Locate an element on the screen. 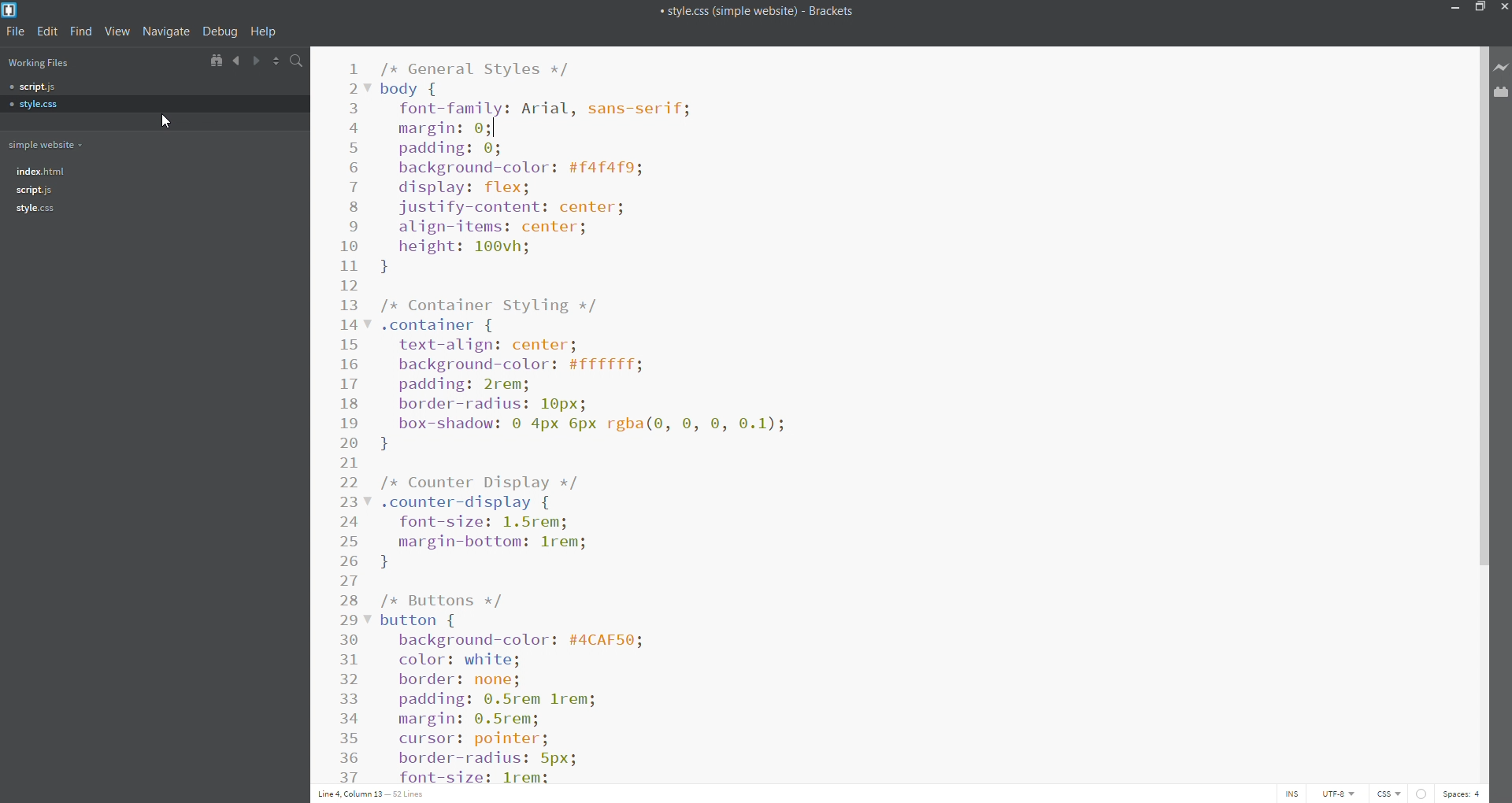  show in file tree is located at coordinates (216, 61).